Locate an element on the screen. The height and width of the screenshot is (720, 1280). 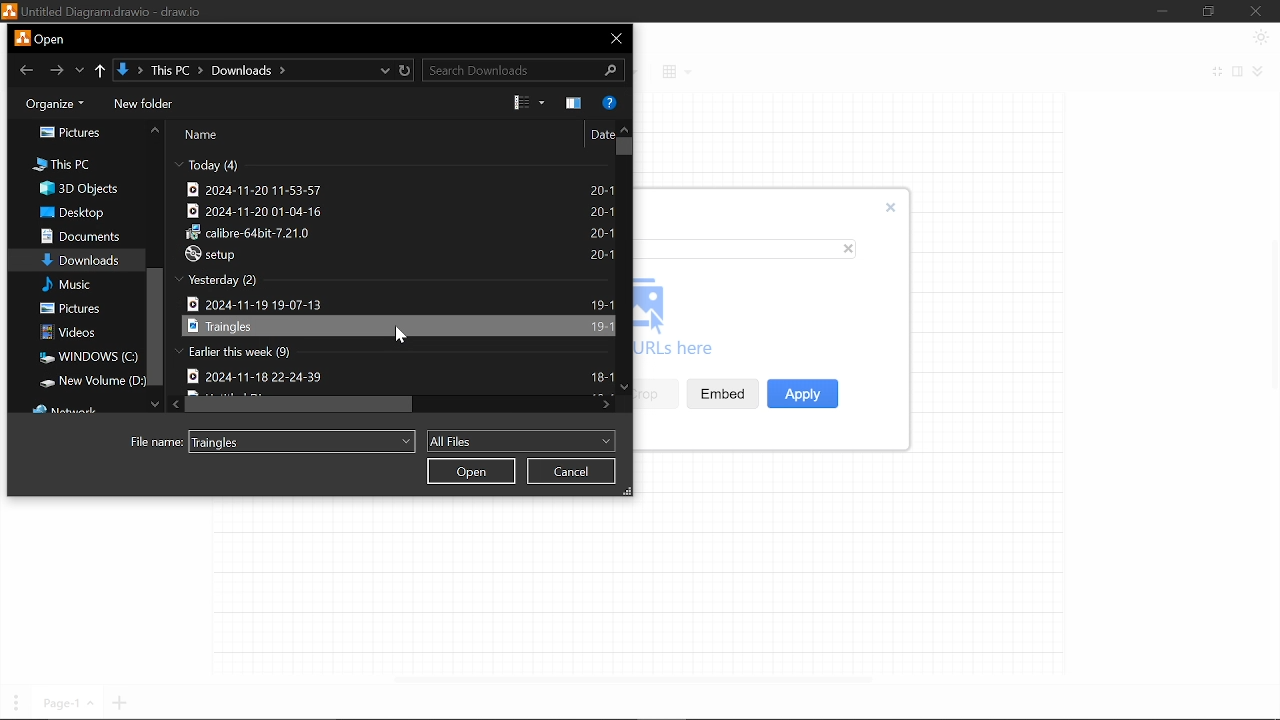
Go forward is located at coordinates (56, 69).